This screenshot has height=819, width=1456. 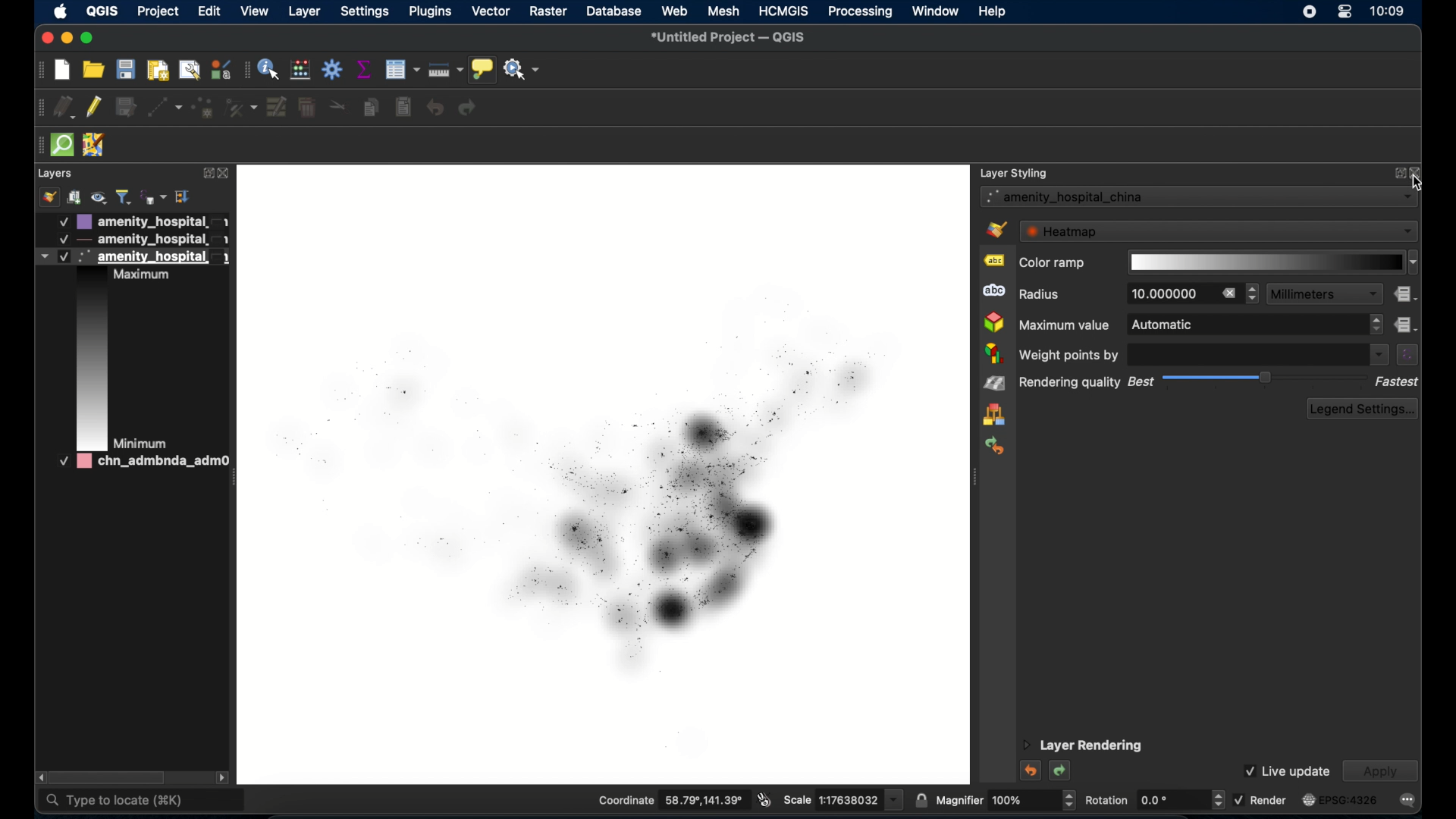 I want to click on print layout, so click(x=159, y=72).